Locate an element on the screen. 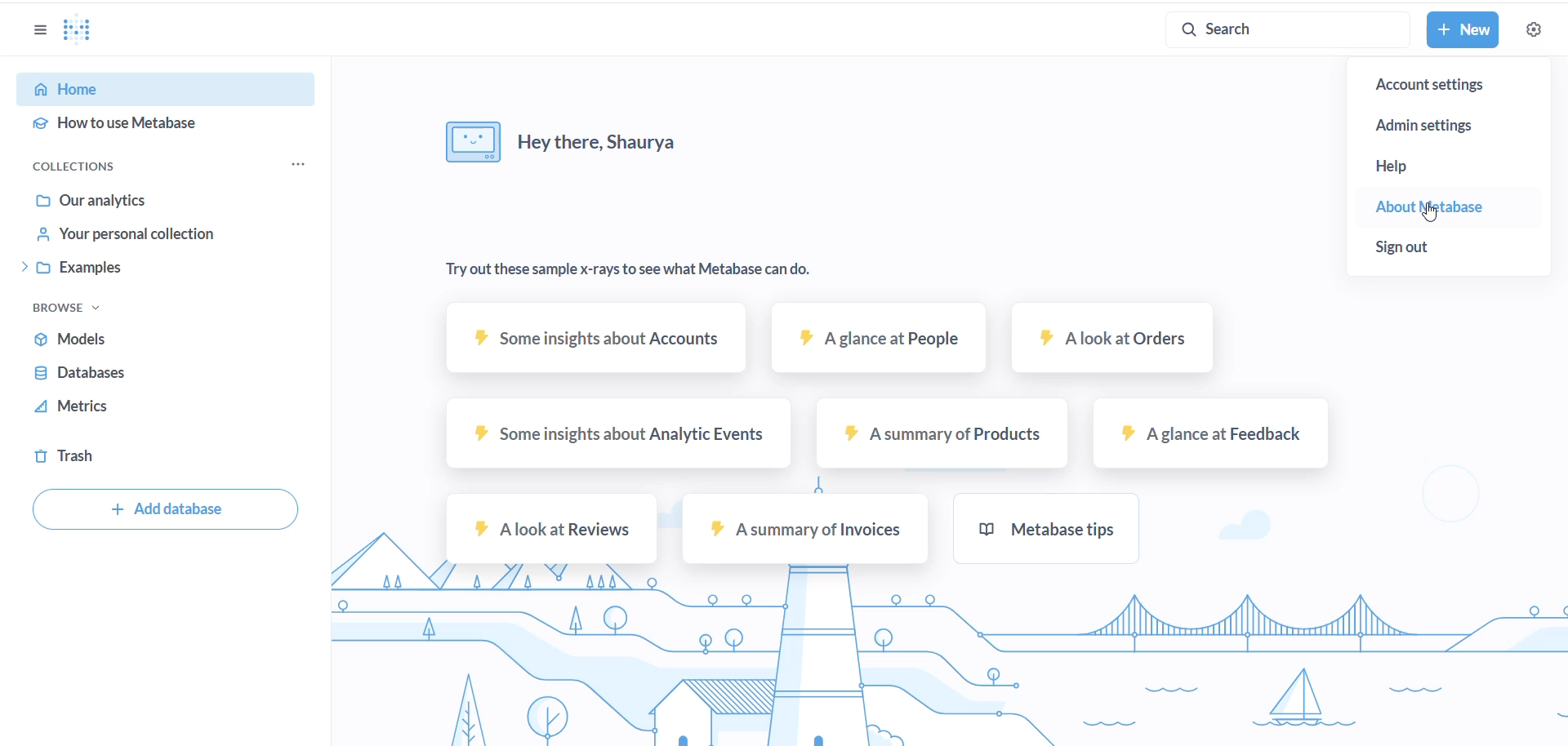 Image resolution: width=1568 pixels, height=746 pixels. admin settings is located at coordinates (1447, 126).